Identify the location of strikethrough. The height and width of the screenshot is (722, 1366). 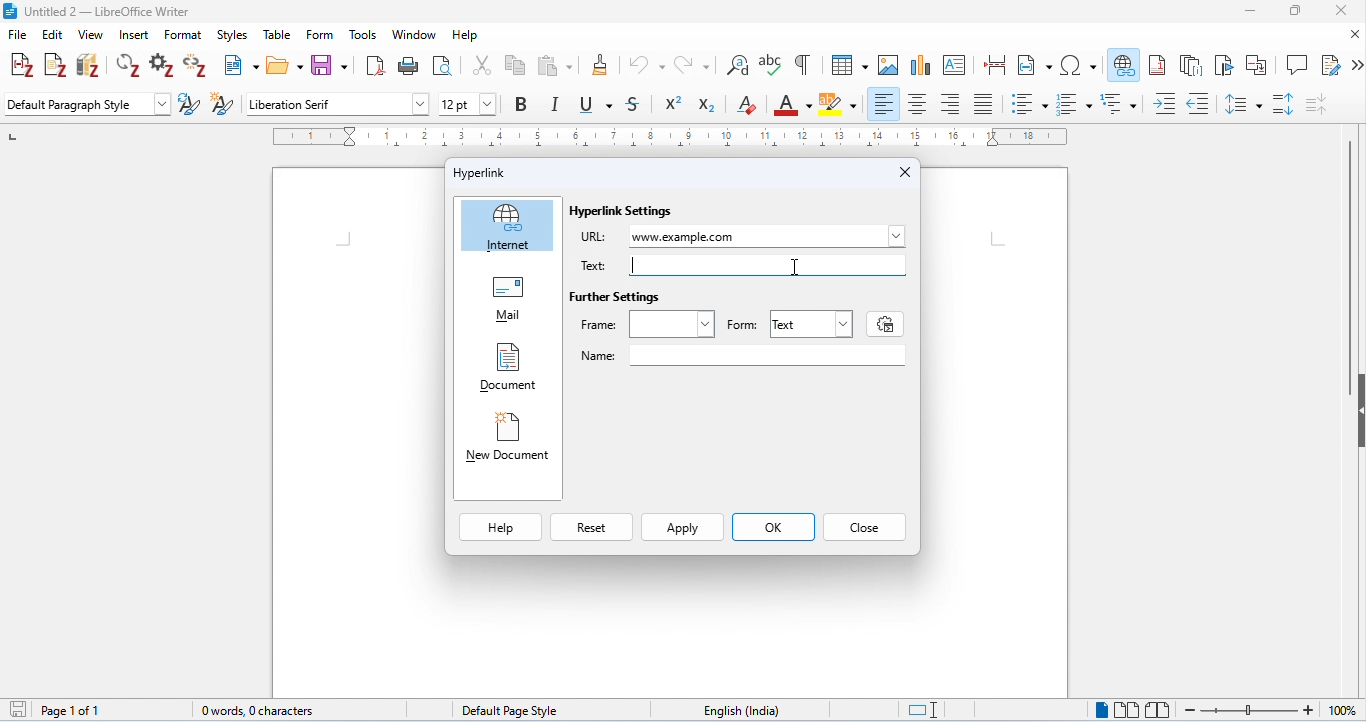
(634, 104).